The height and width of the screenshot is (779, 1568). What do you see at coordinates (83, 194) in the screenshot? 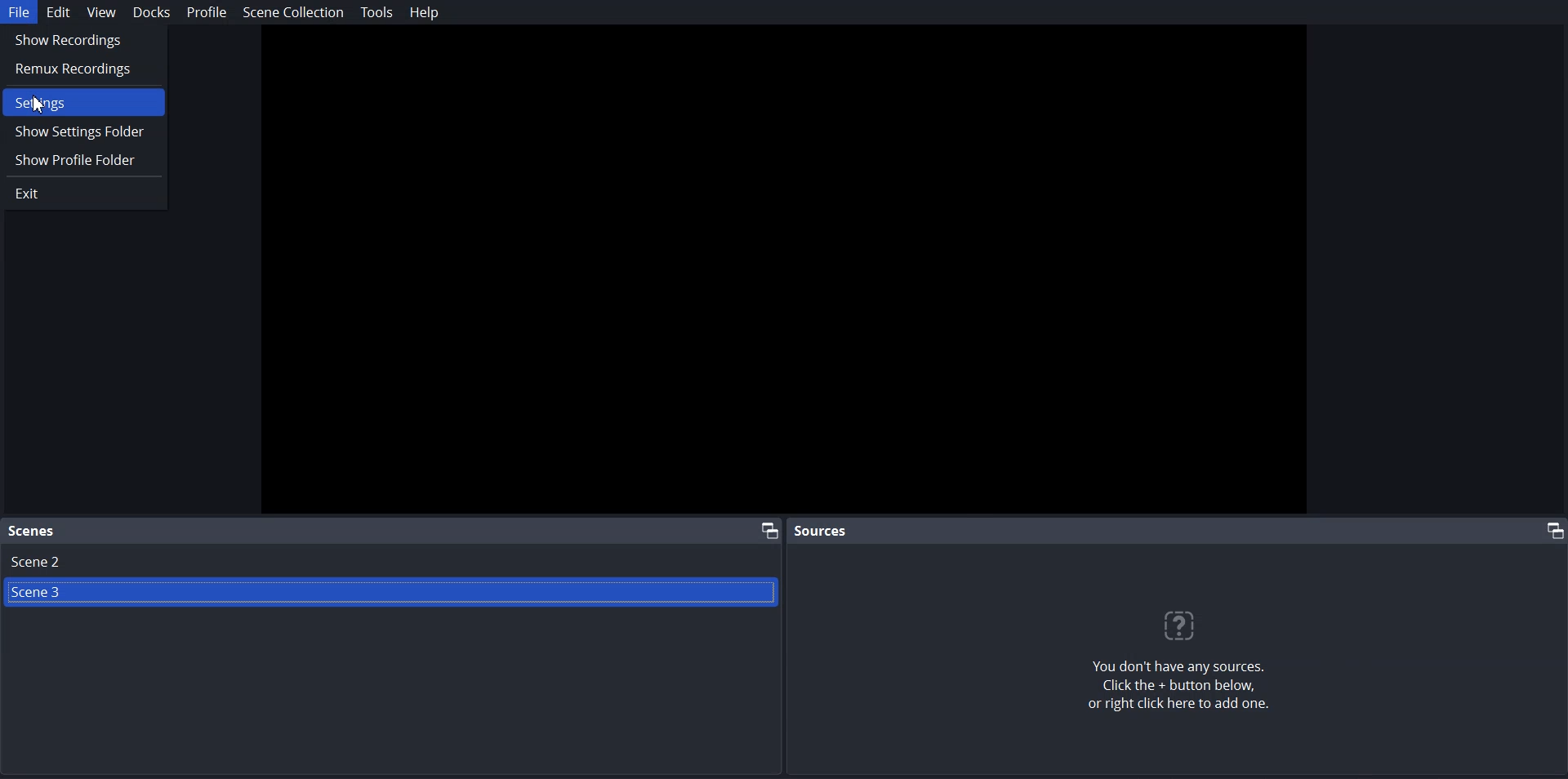
I see `Exit` at bounding box center [83, 194].